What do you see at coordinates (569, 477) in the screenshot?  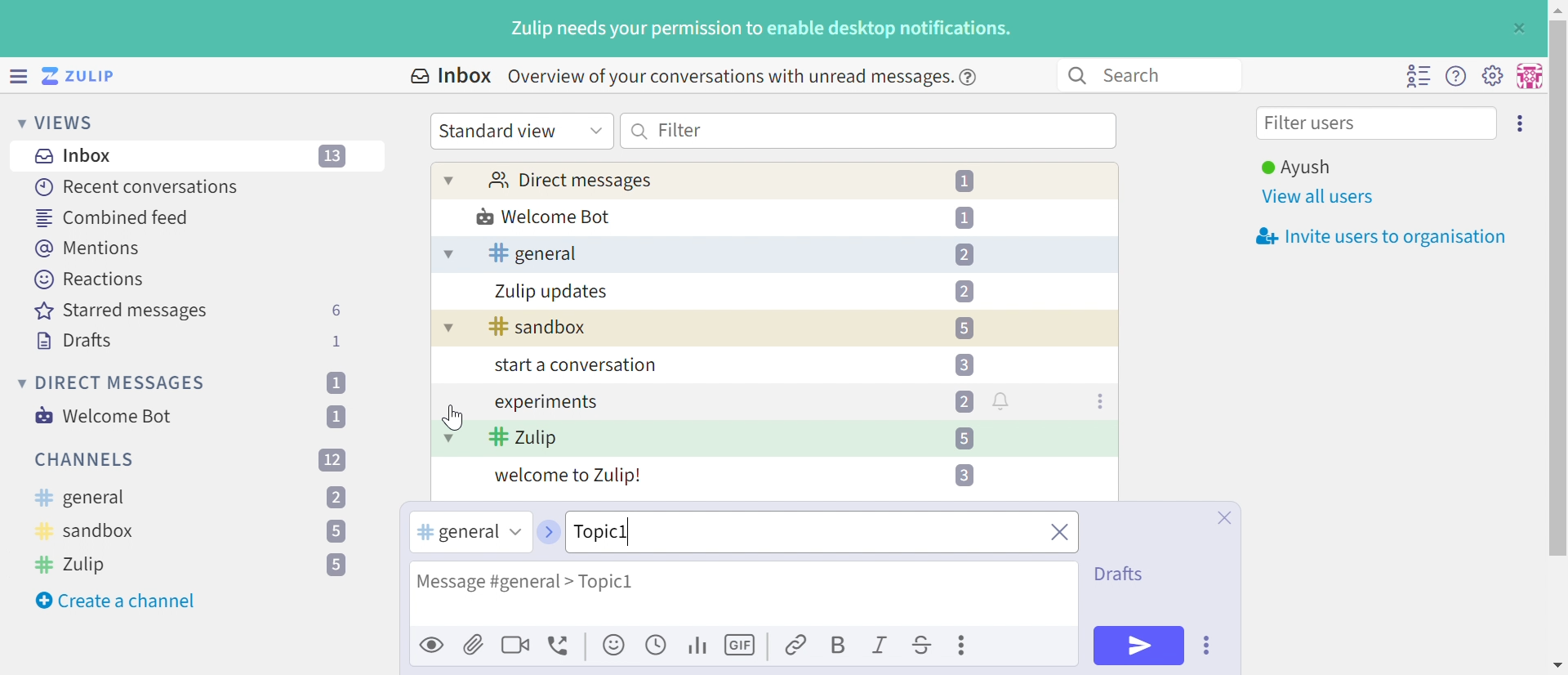 I see `welcome to Zulip!` at bounding box center [569, 477].